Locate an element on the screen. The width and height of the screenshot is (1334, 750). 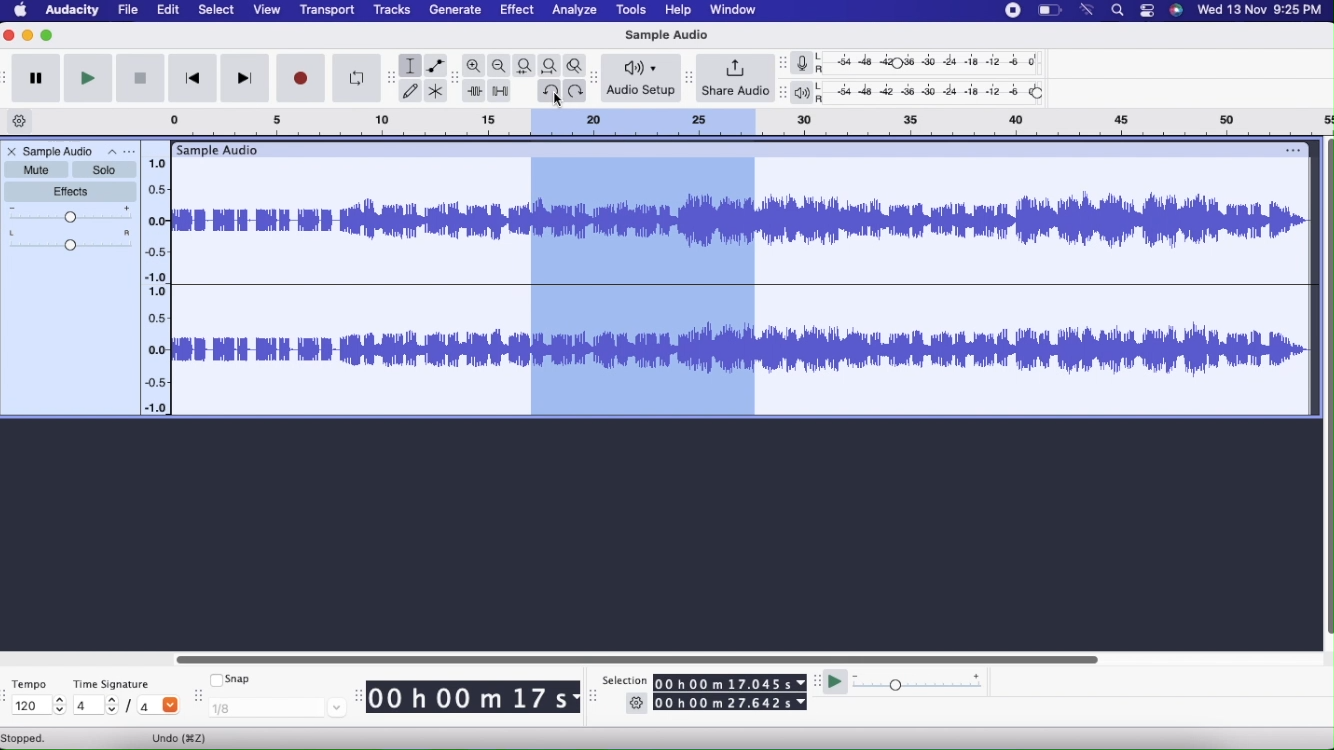
Timeline options is located at coordinates (21, 121).